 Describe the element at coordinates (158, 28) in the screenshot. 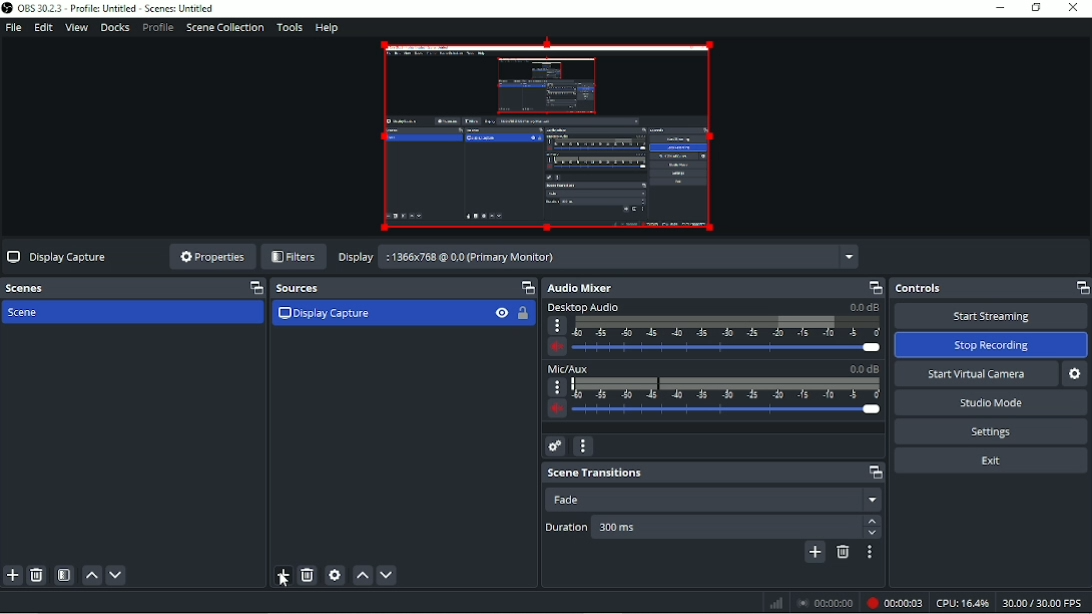

I see `Profile` at that location.